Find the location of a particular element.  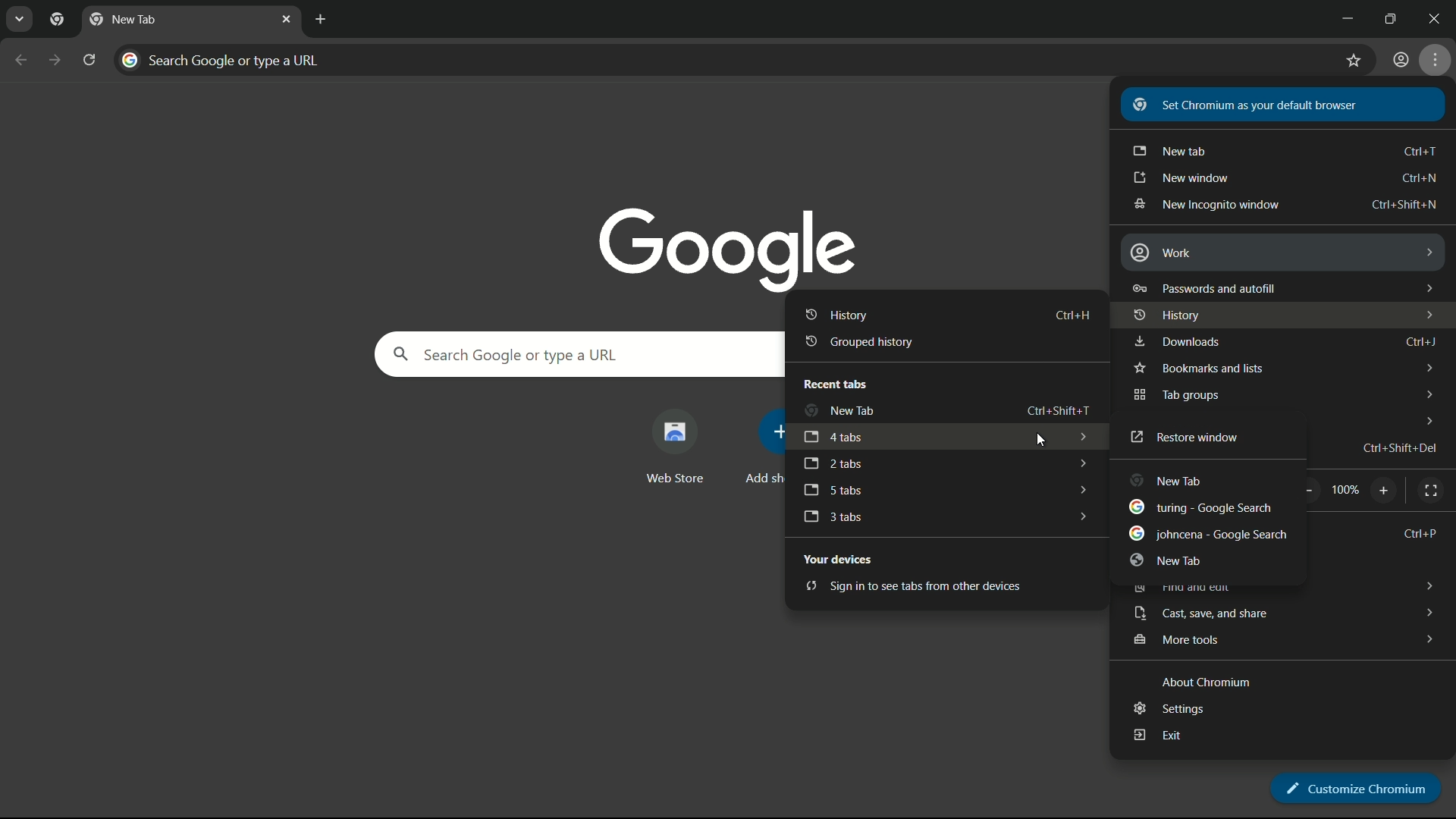

user profile is located at coordinates (1397, 59).